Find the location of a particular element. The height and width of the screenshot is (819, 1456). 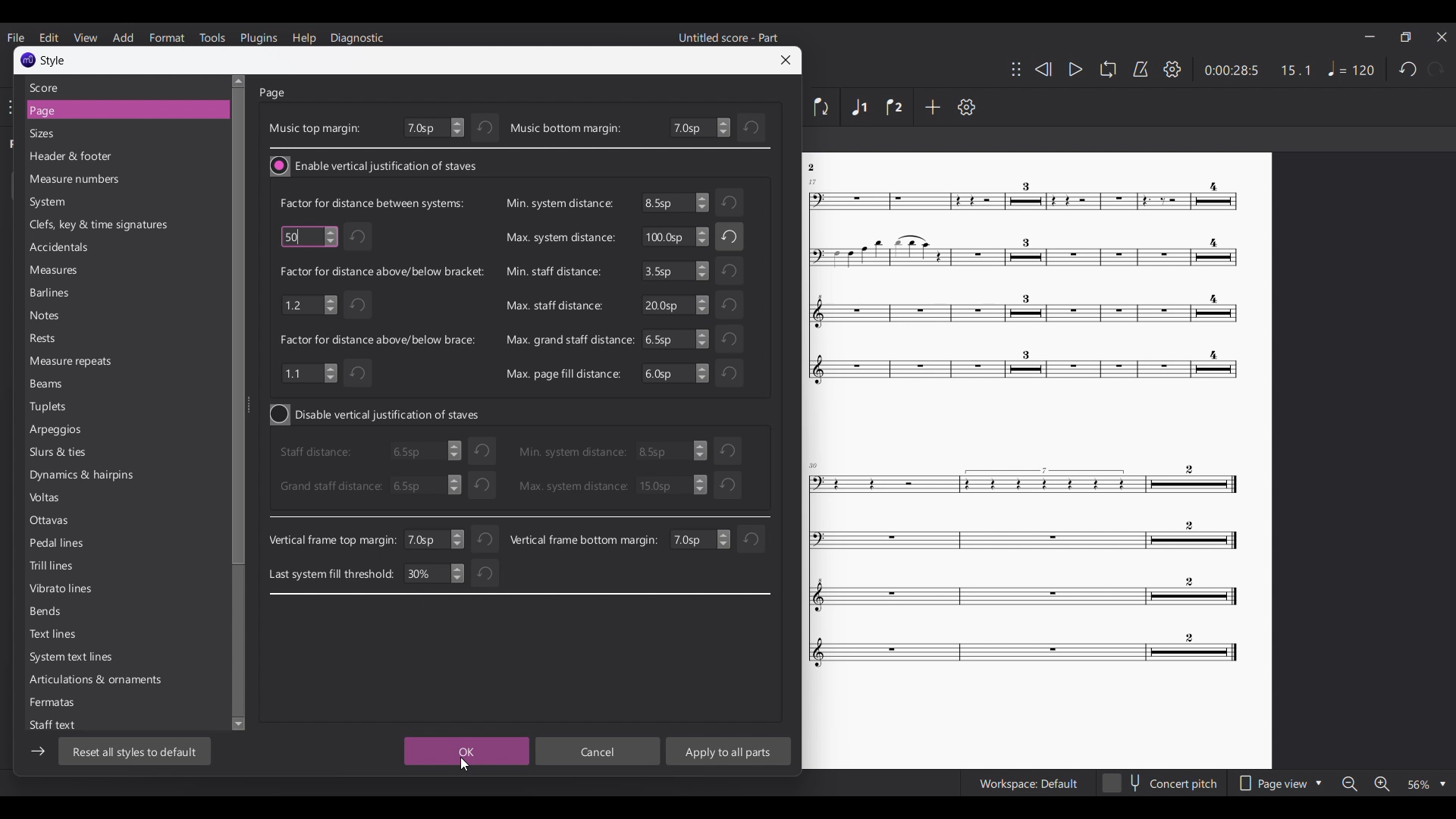

Show/Hide sidebar is located at coordinates (38, 752).